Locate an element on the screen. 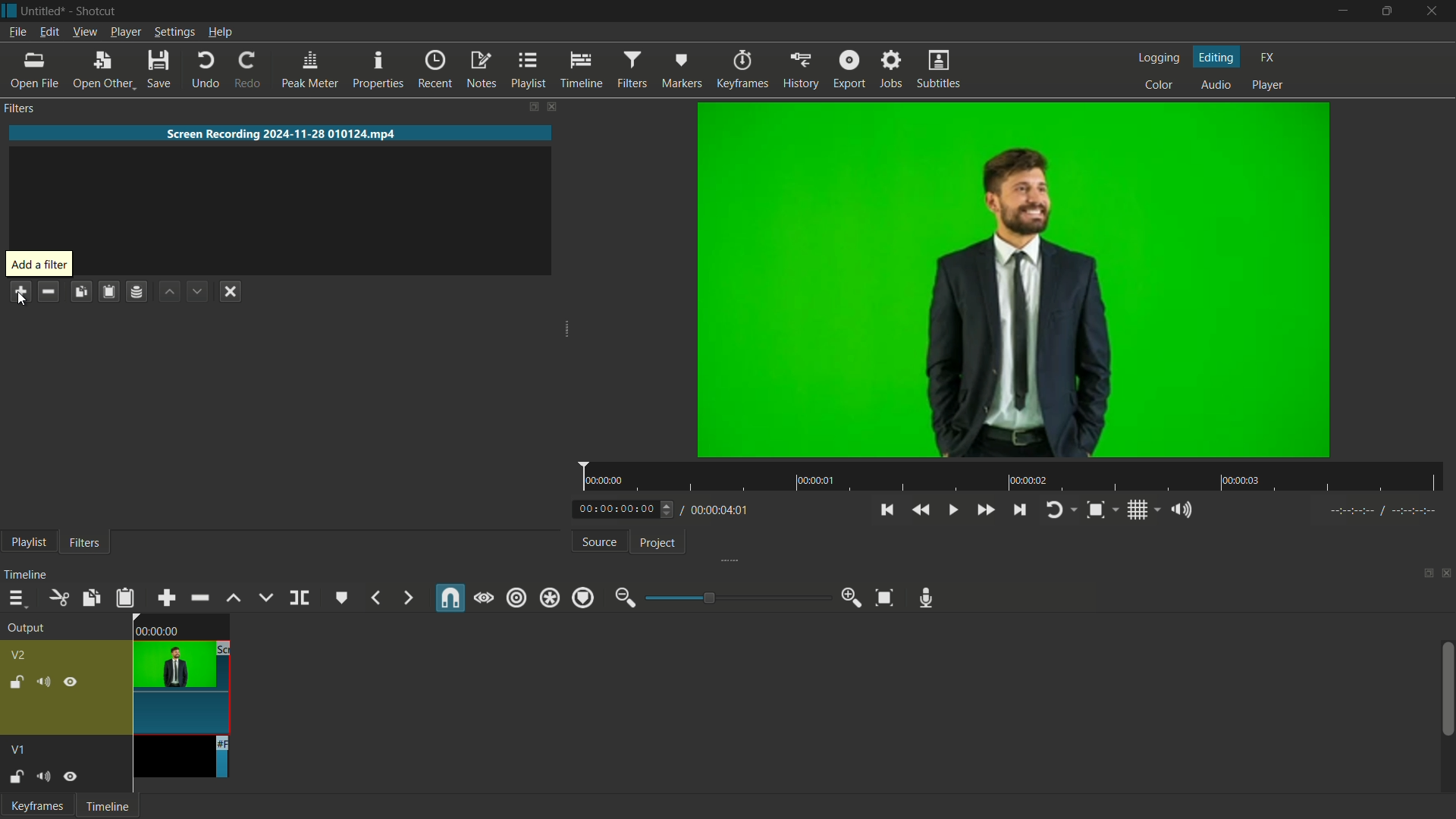  imported video name is located at coordinates (281, 134).